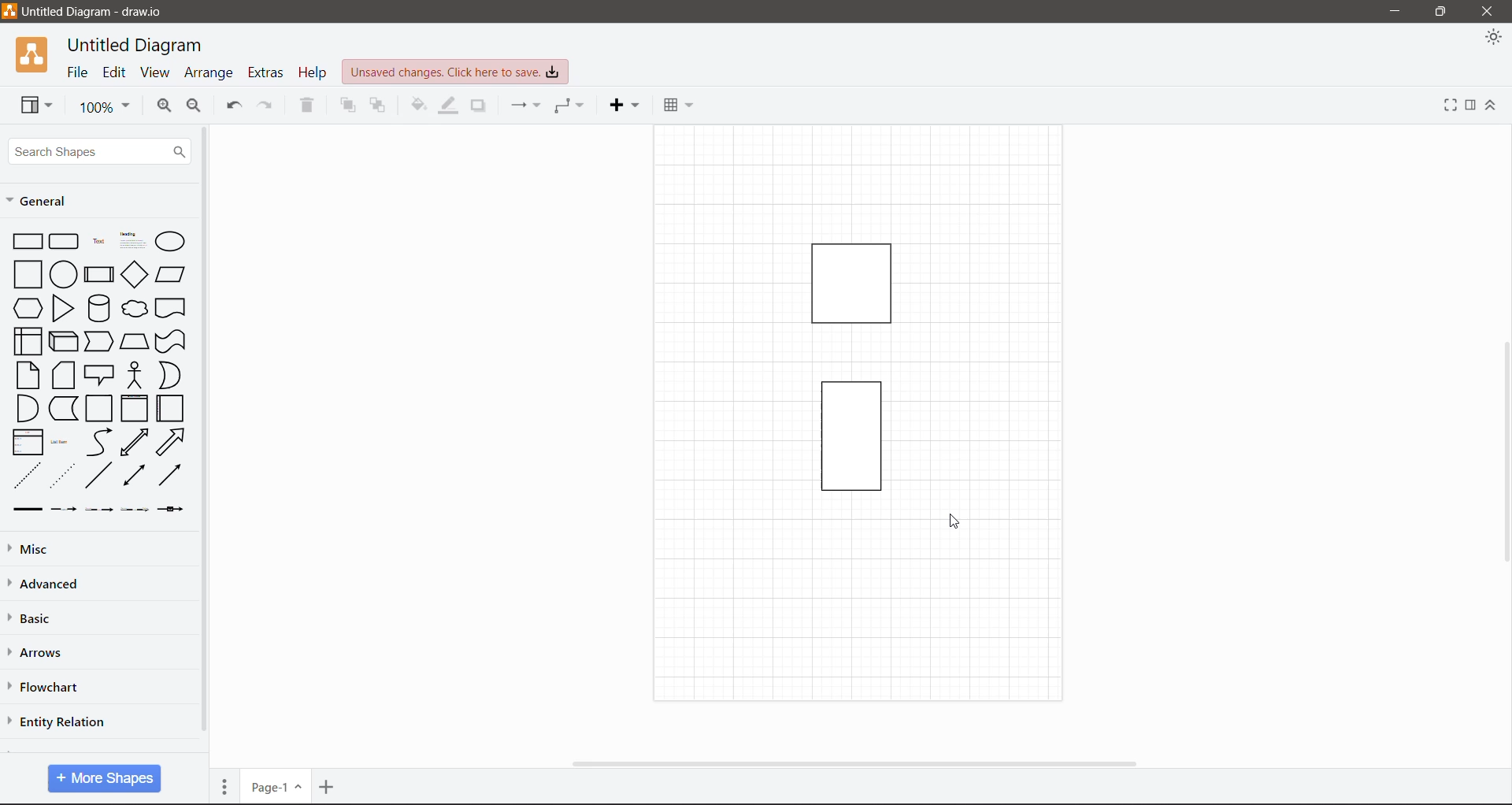 Image resolution: width=1512 pixels, height=805 pixels. Describe the element at coordinates (225, 785) in the screenshot. I see `Pages` at that location.